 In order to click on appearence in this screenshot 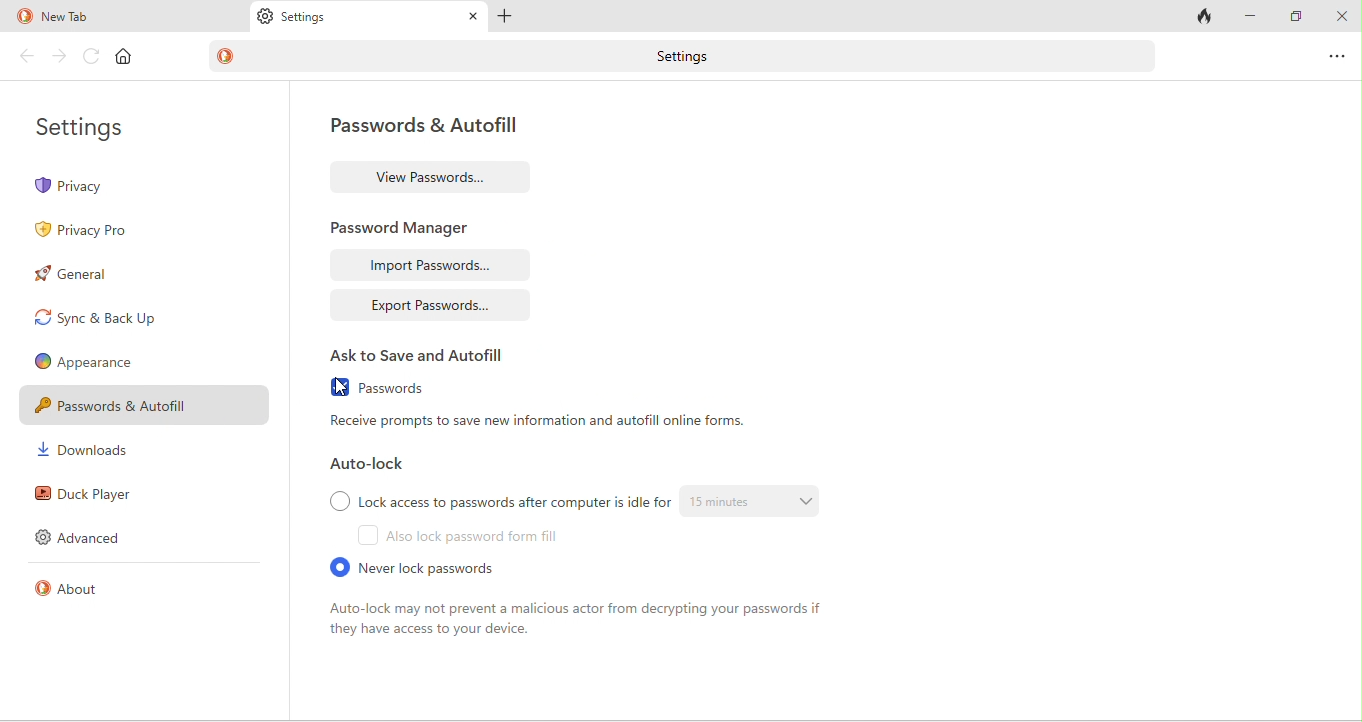, I will do `click(90, 360)`.